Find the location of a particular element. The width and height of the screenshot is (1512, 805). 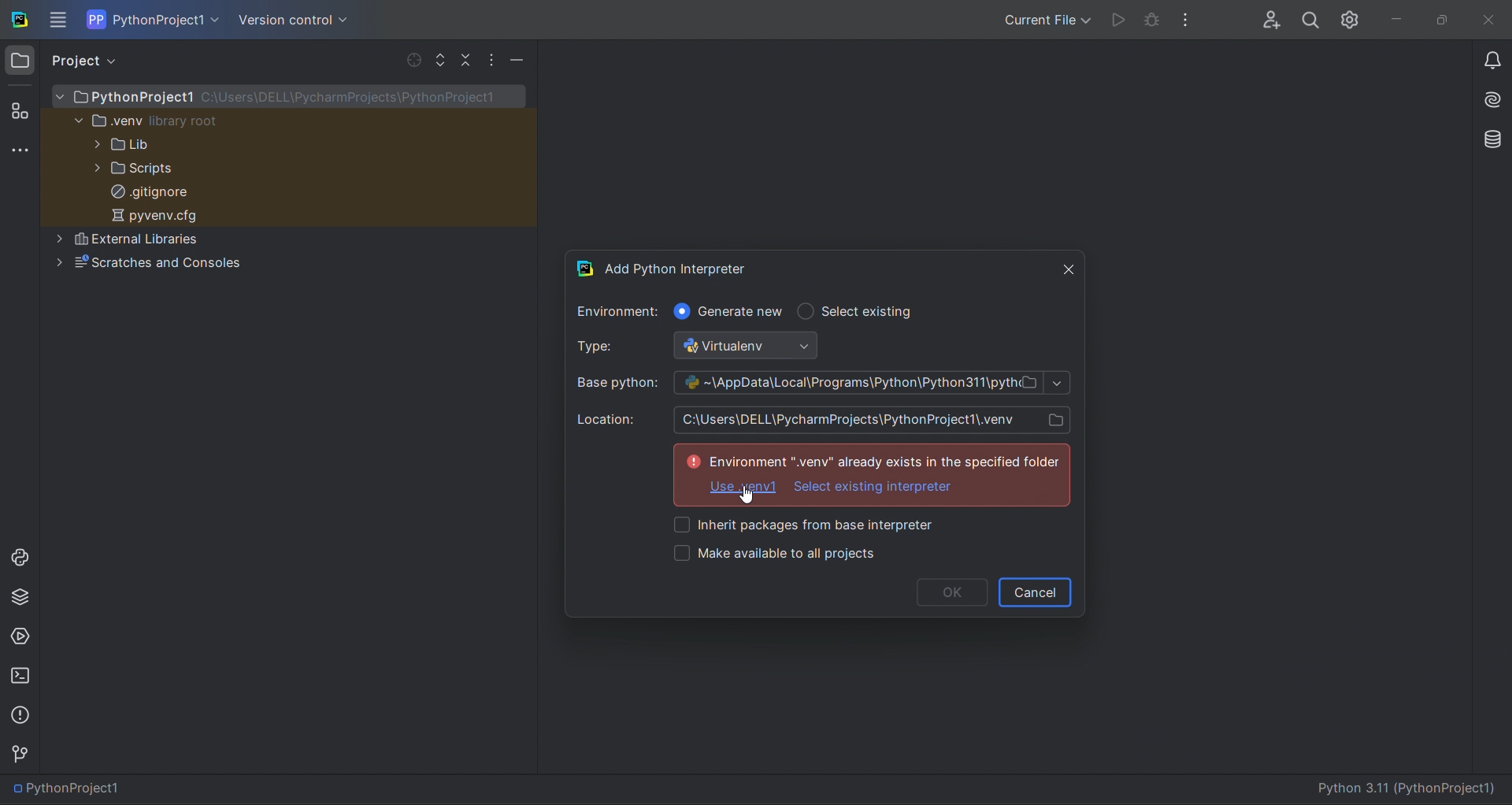

ok is located at coordinates (950, 593).